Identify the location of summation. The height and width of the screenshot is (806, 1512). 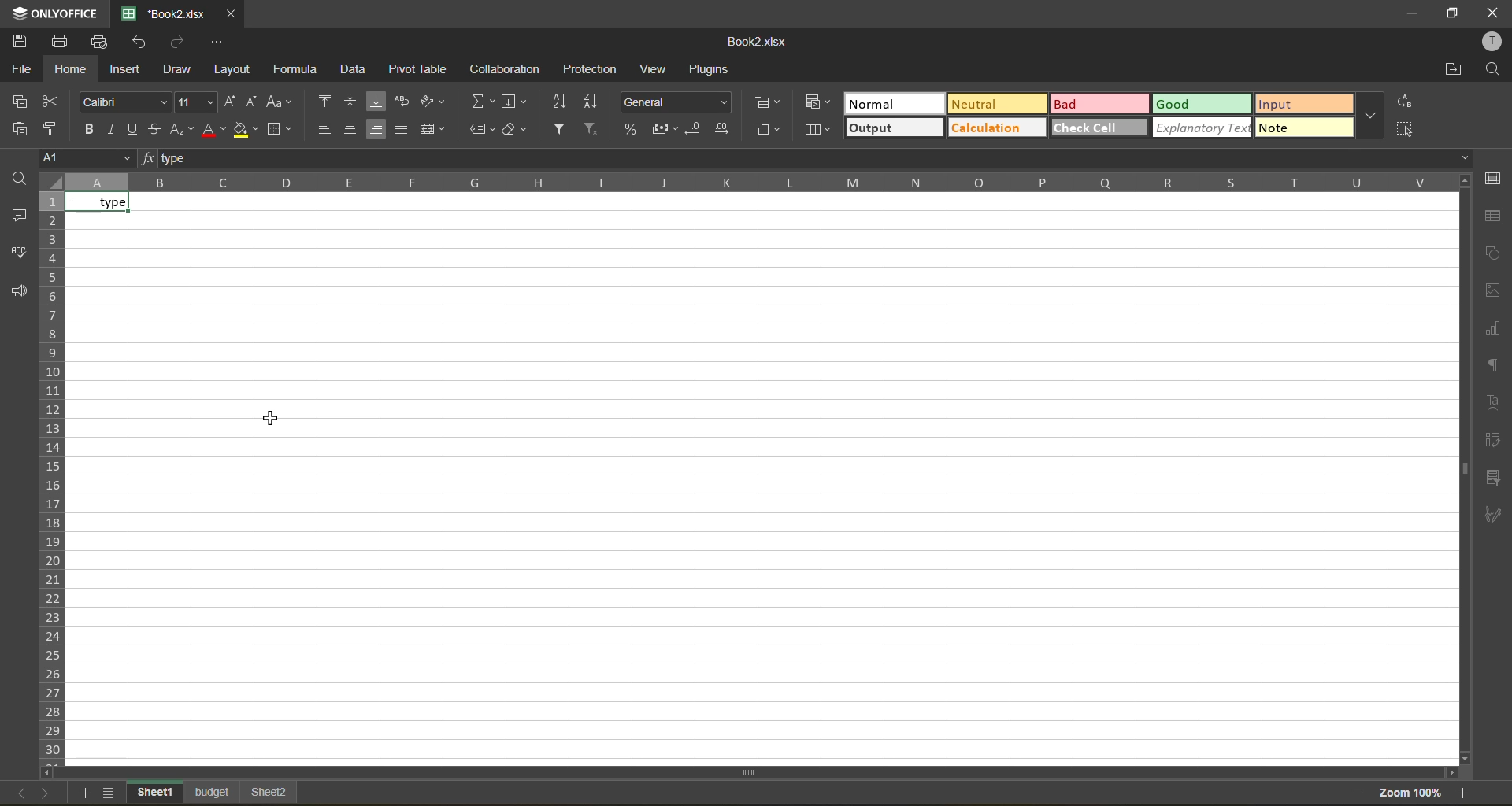
(481, 100).